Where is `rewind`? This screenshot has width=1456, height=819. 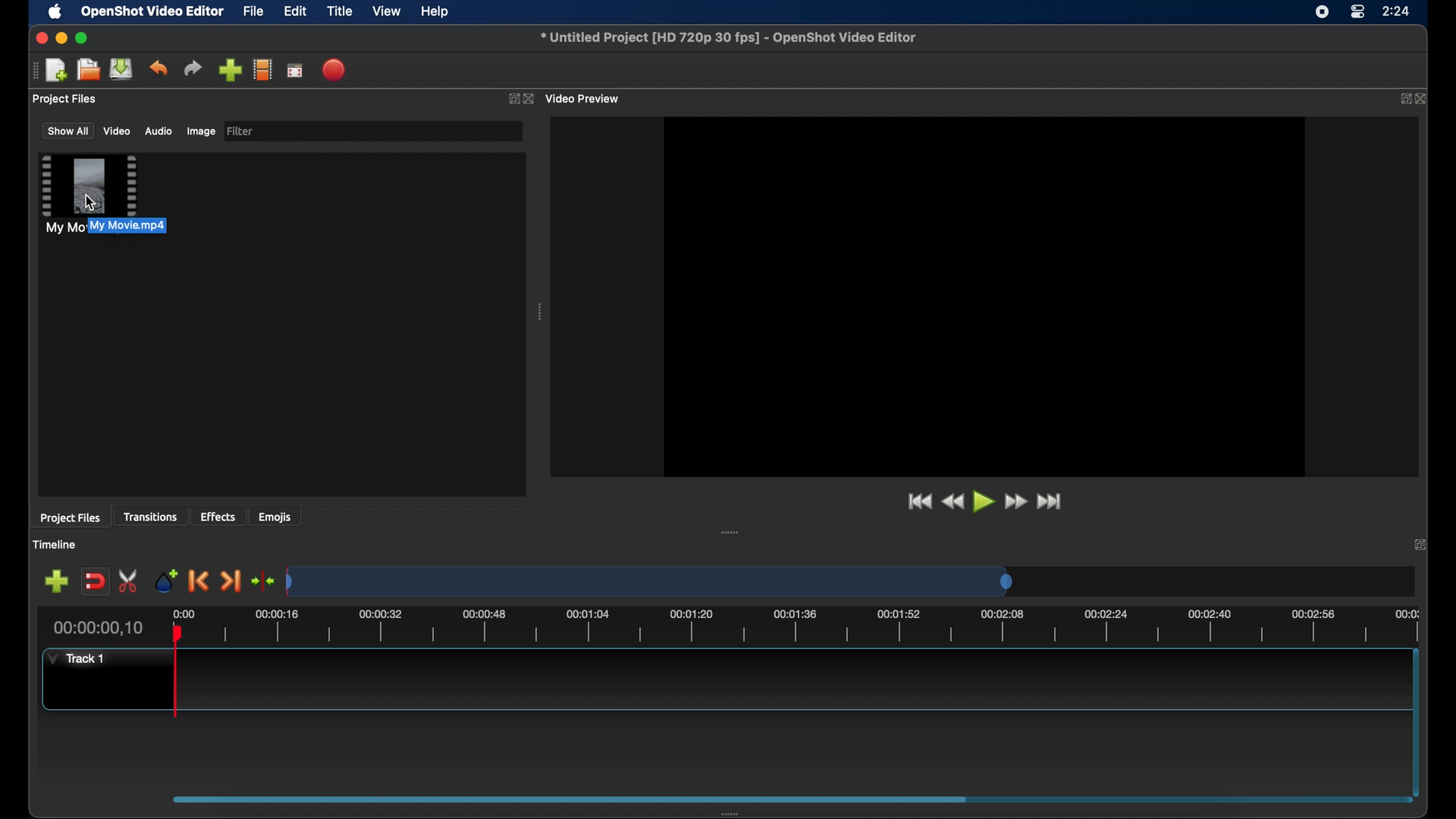 rewind is located at coordinates (952, 501).